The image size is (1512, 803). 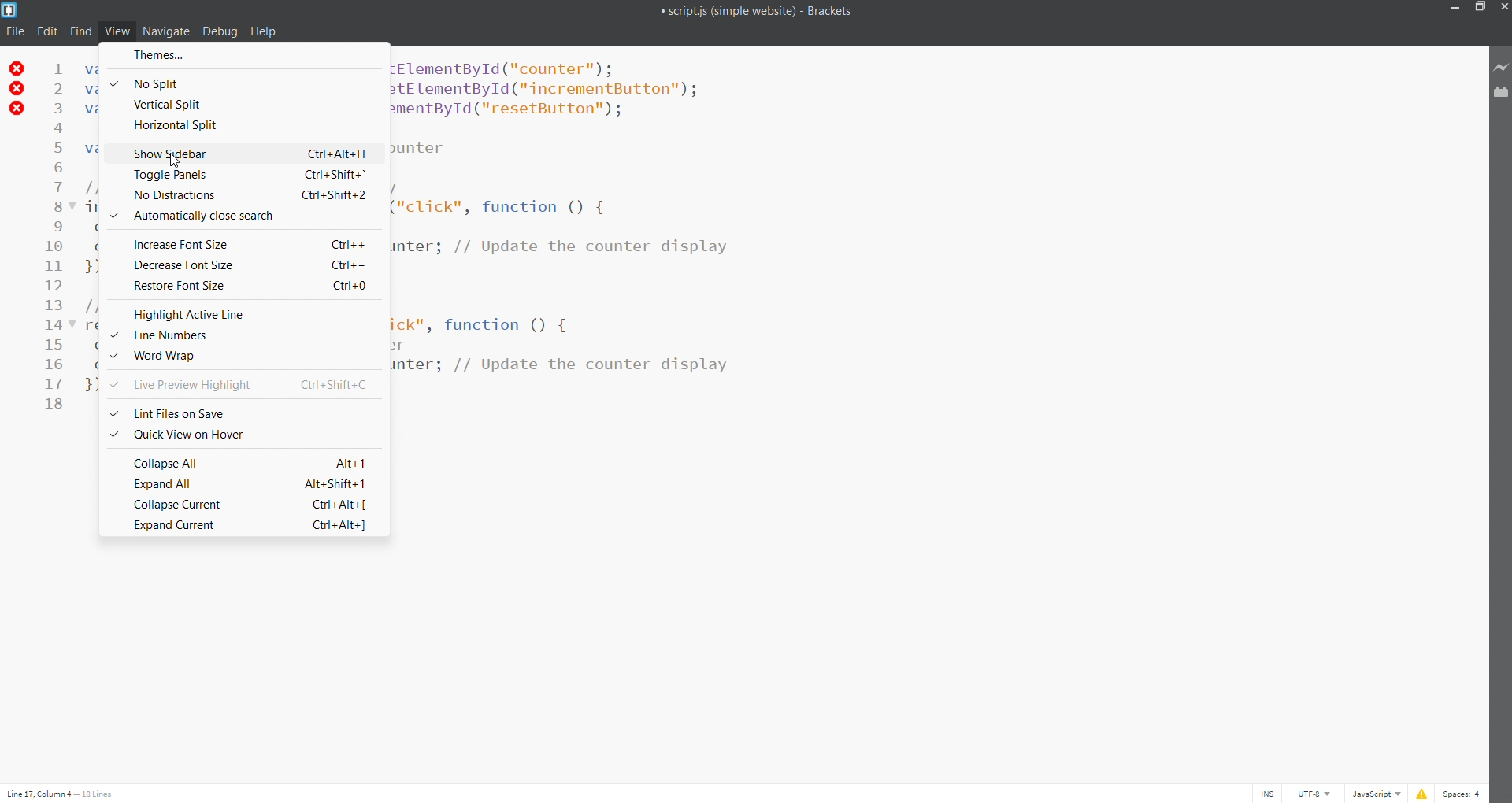 I want to click on increase font size, so click(x=245, y=242).